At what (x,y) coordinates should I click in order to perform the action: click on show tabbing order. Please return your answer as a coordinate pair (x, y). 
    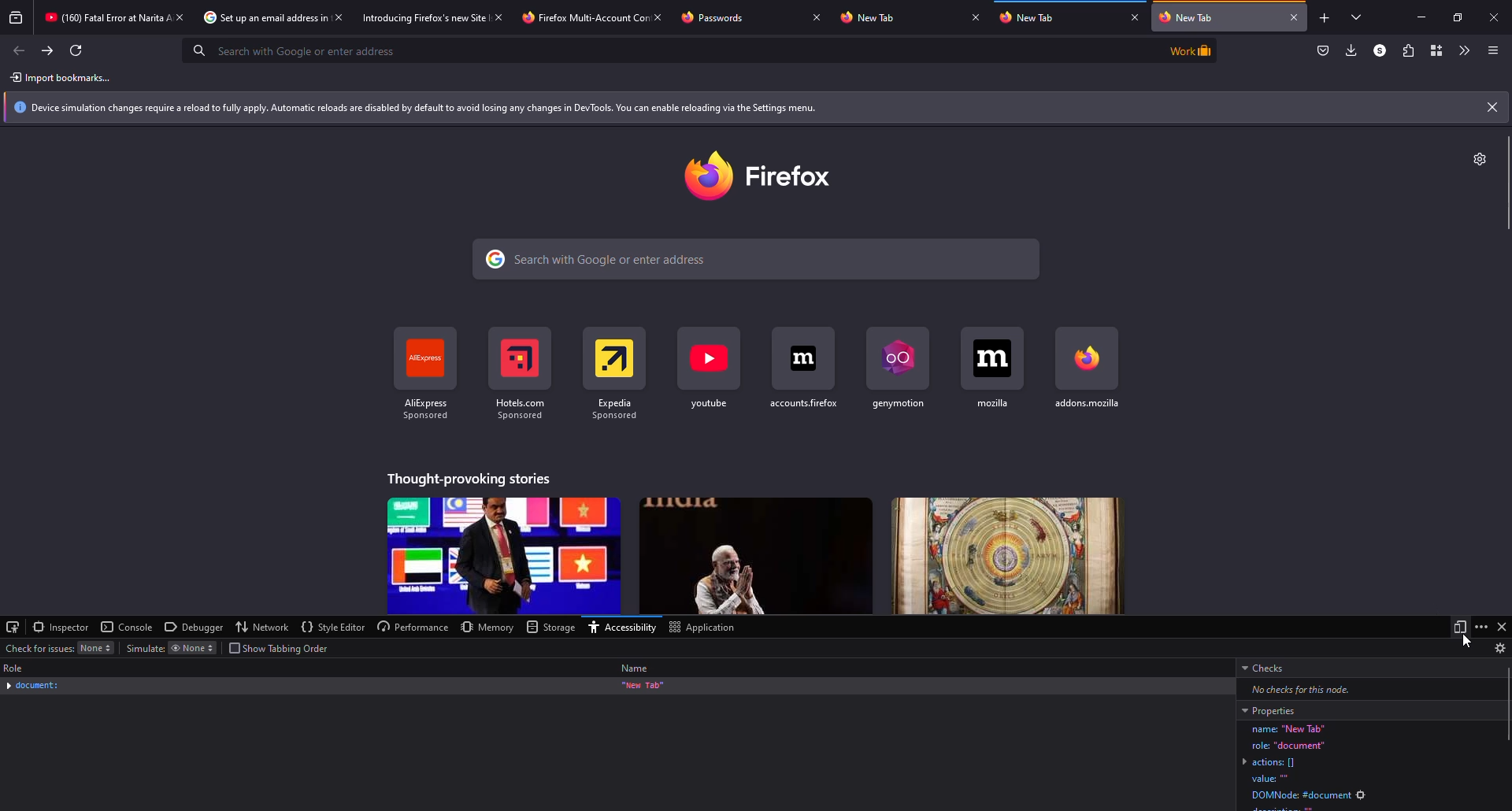
    Looking at the image, I should click on (281, 648).